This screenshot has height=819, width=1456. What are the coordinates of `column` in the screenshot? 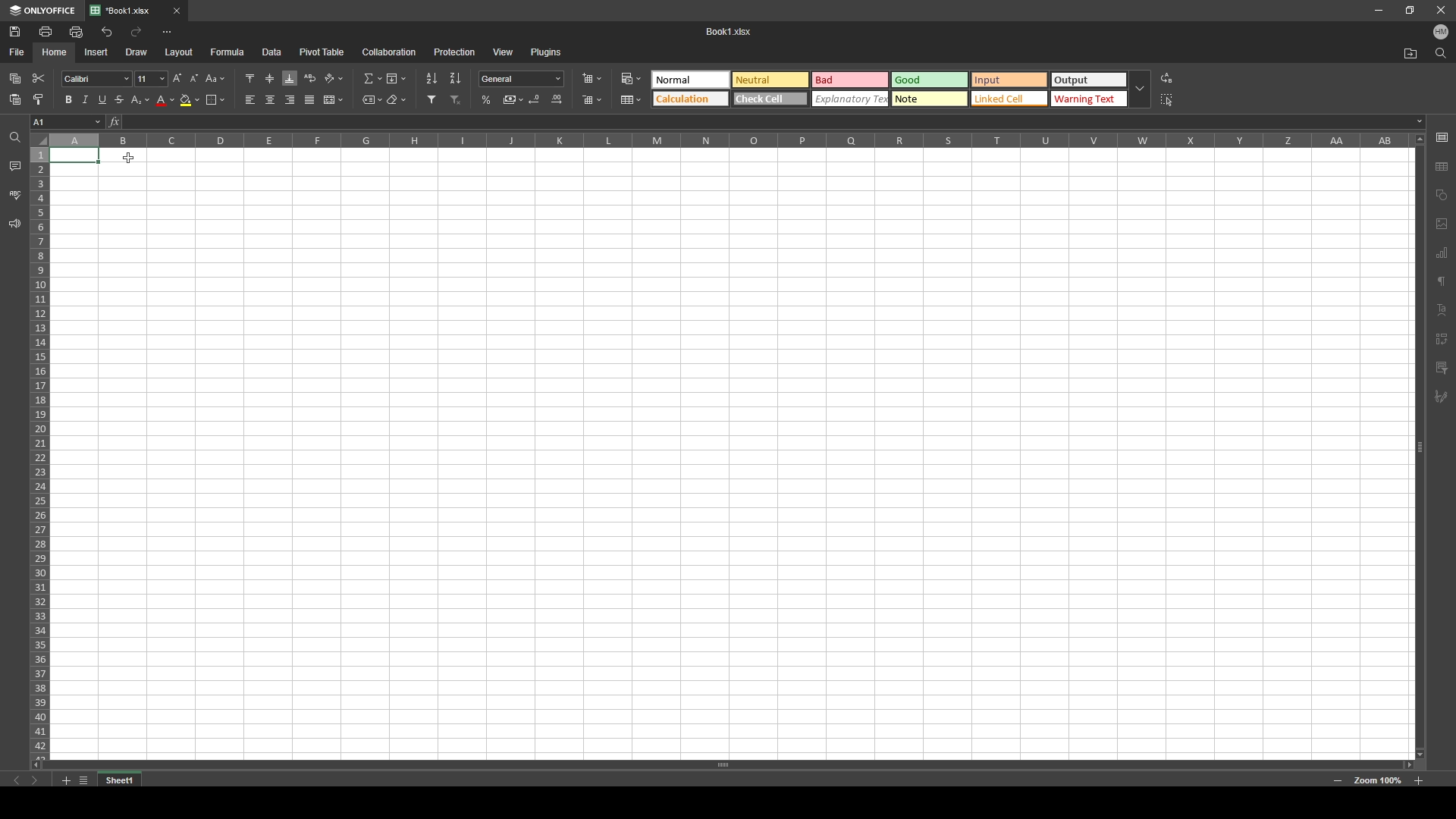 It's located at (729, 141).